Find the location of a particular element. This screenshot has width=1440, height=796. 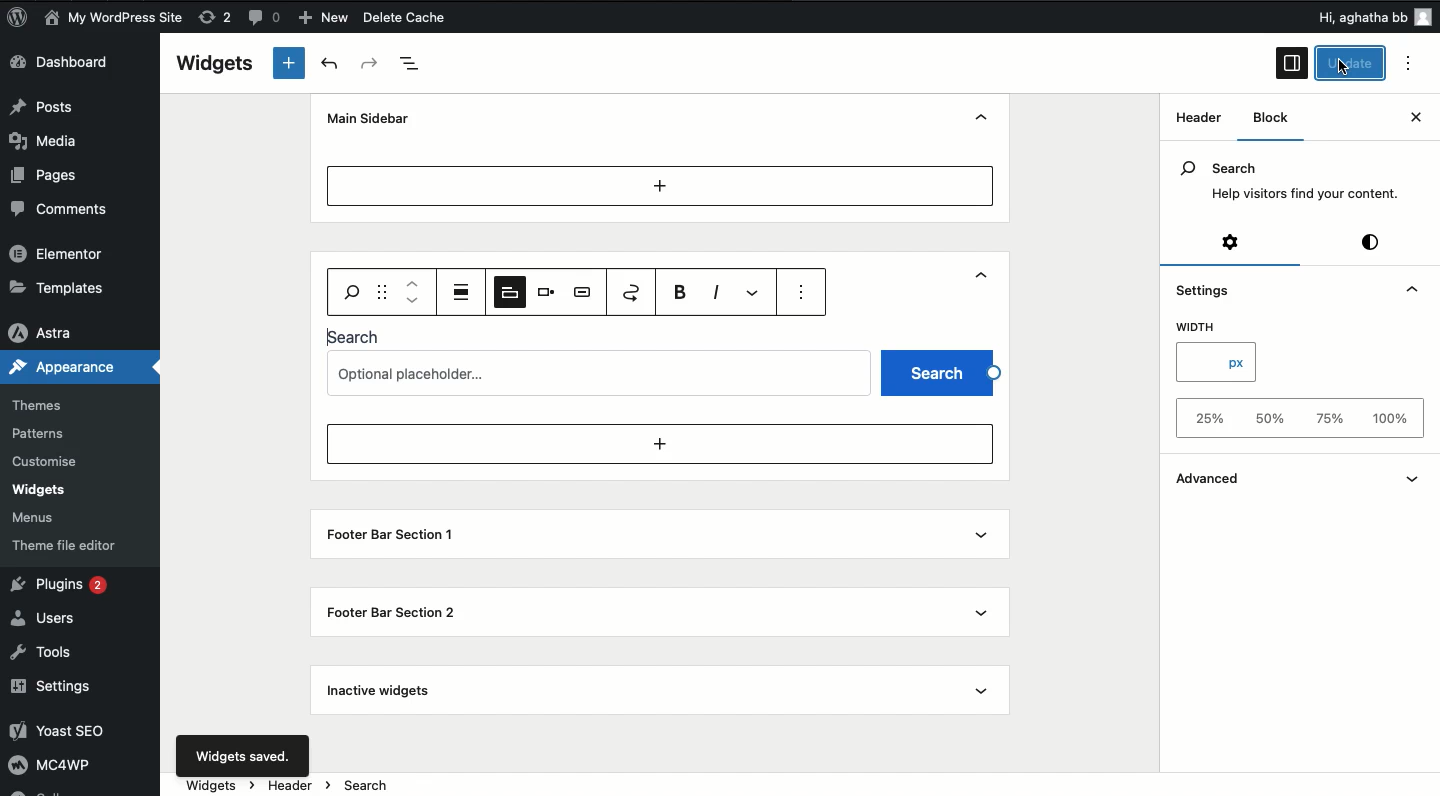

Add new block is located at coordinates (660, 185).